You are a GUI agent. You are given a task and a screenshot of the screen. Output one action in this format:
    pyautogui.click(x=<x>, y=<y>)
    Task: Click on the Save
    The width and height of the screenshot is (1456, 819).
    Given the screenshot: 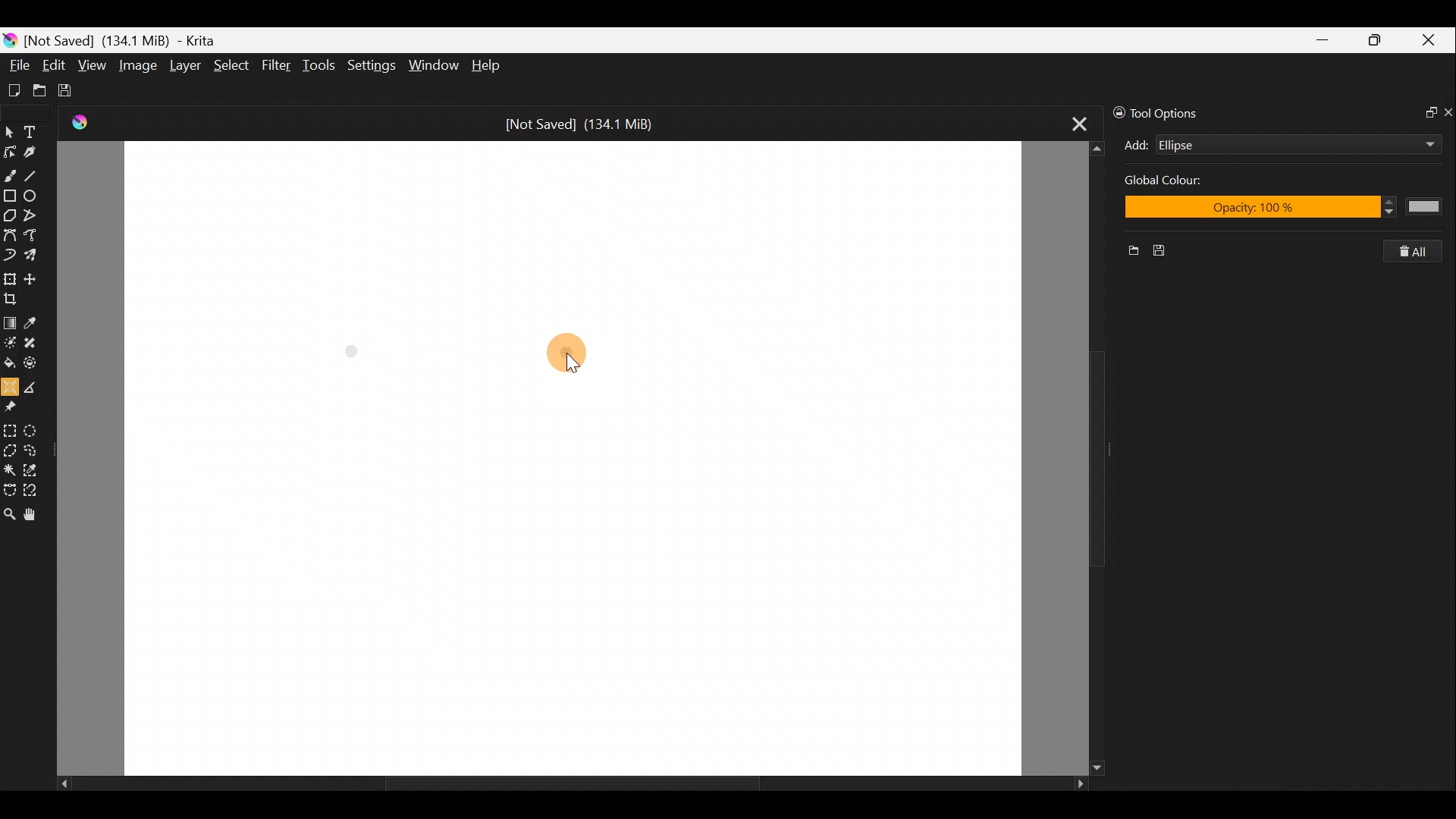 What is the action you would take?
    pyautogui.click(x=74, y=91)
    